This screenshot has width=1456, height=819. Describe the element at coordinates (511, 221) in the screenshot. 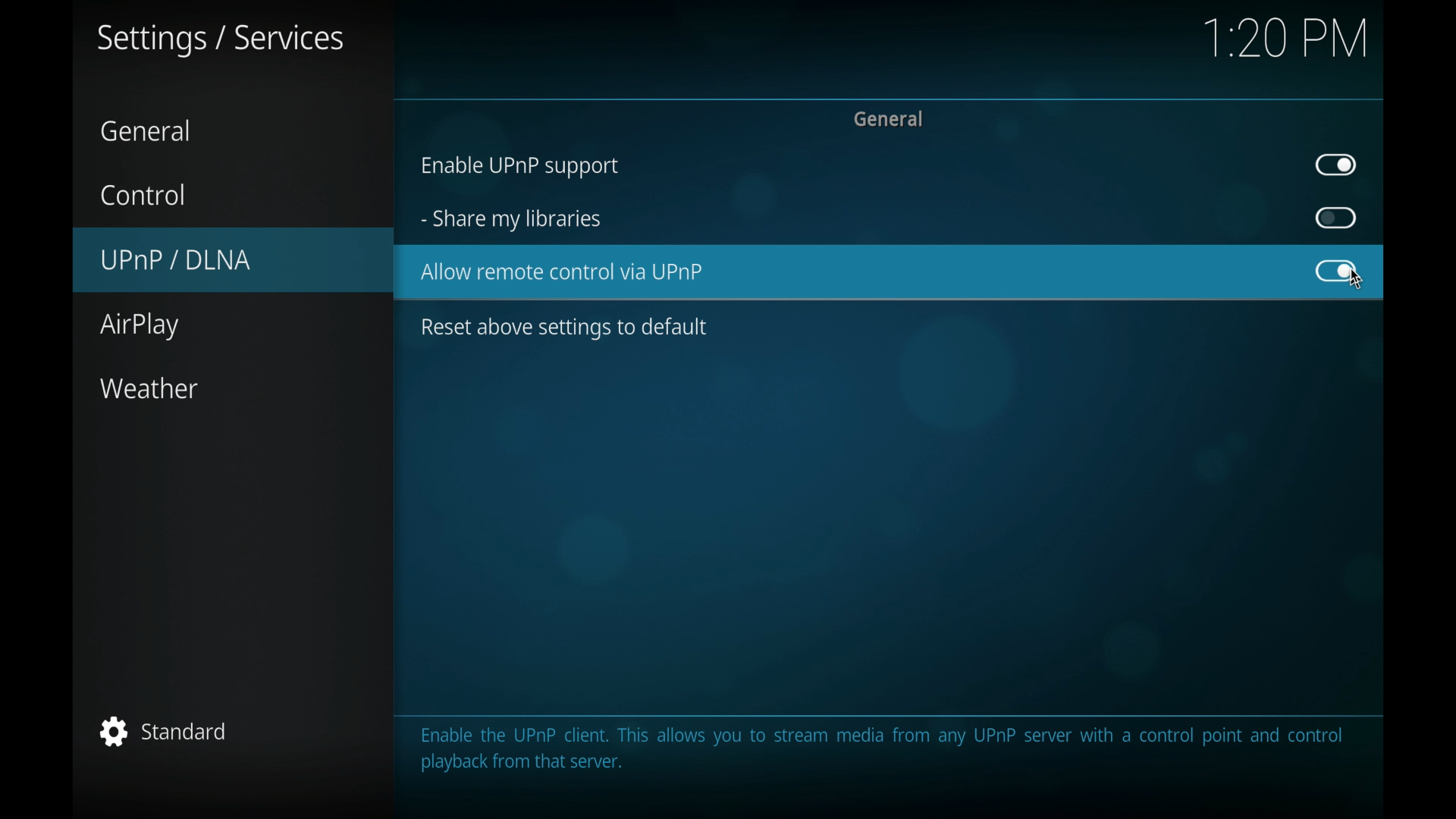

I see `share my libraries` at that location.